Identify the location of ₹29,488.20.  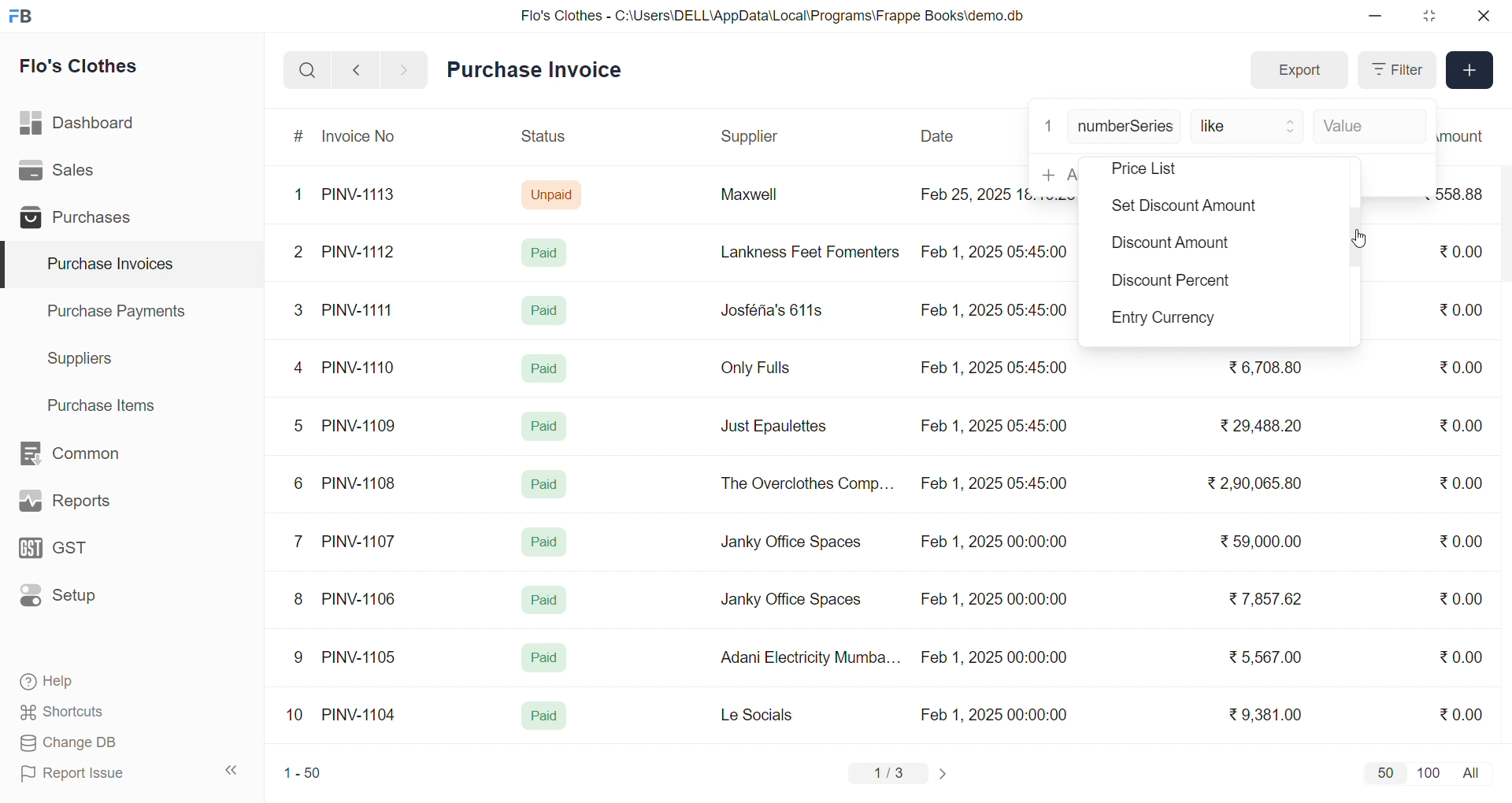
(1256, 426).